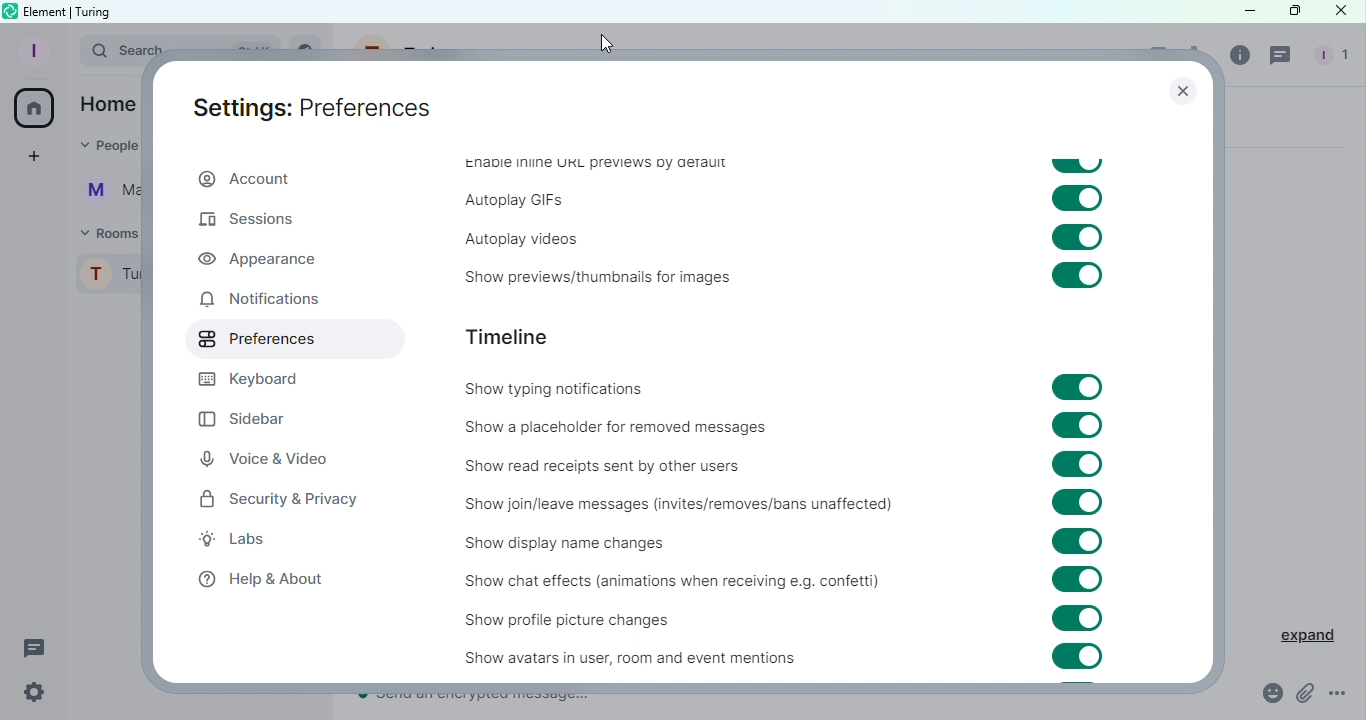 The height and width of the screenshot is (720, 1366). What do you see at coordinates (1179, 94) in the screenshot?
I see `Close` at bounding box center [1179, 94].